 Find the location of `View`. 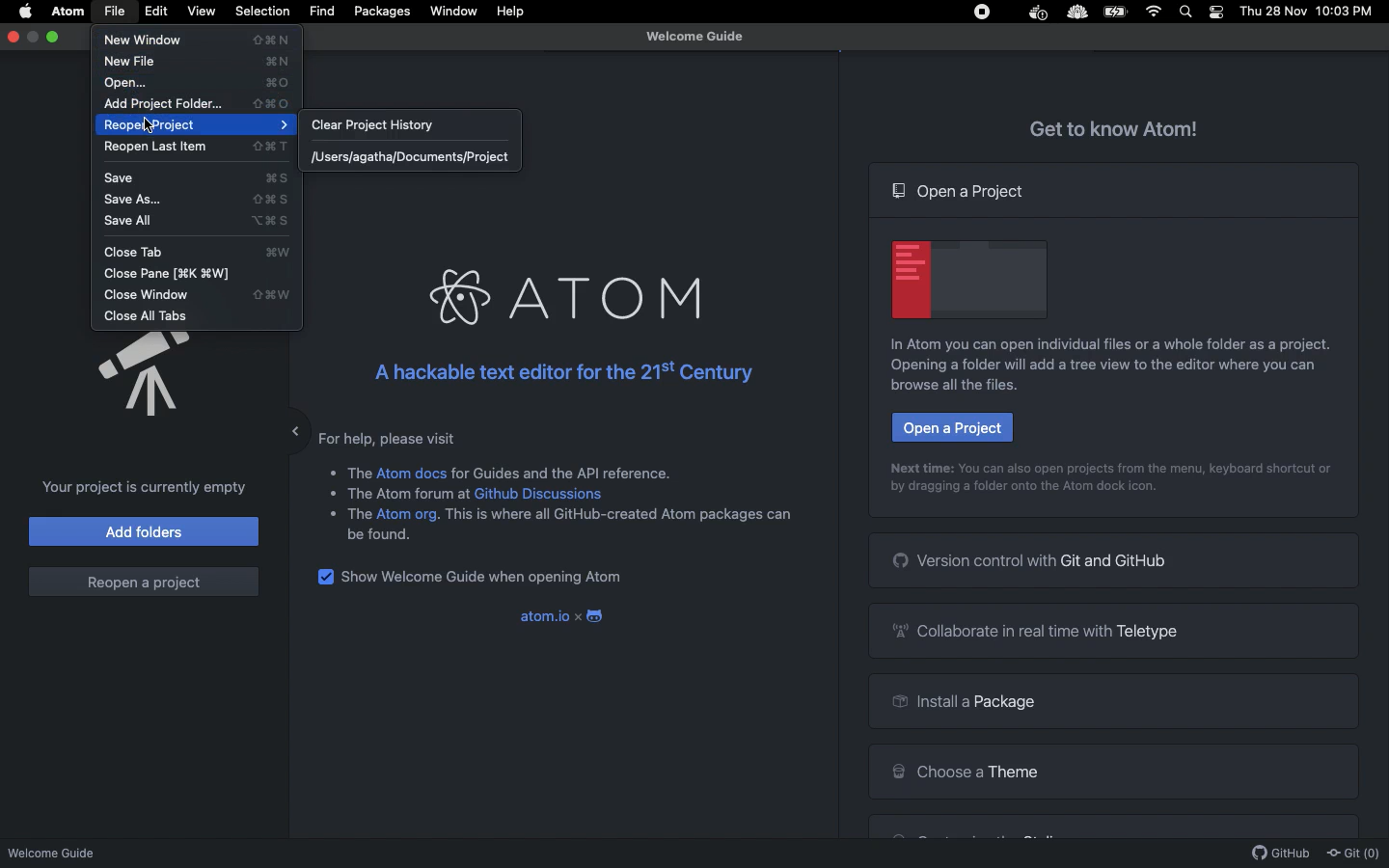

View is located at coordinates (201, 11).